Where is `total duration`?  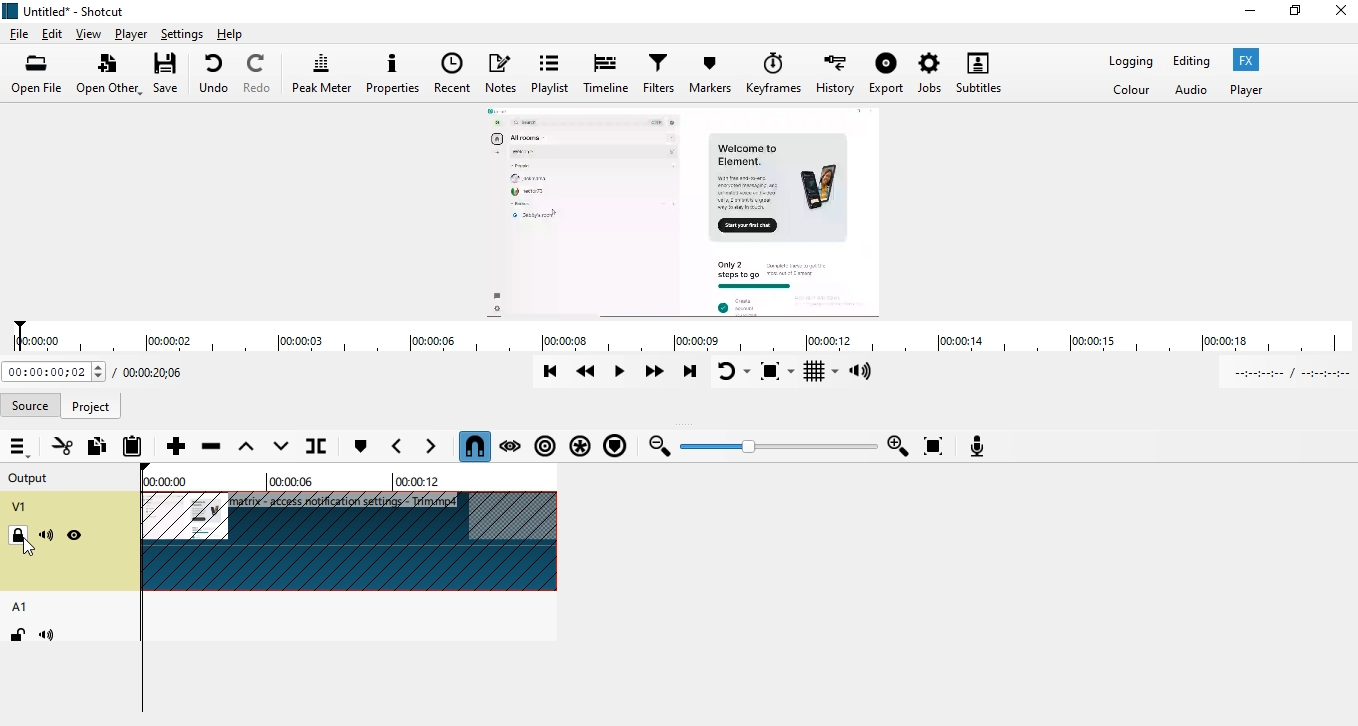
total duration is located at coordinates (158, 371).